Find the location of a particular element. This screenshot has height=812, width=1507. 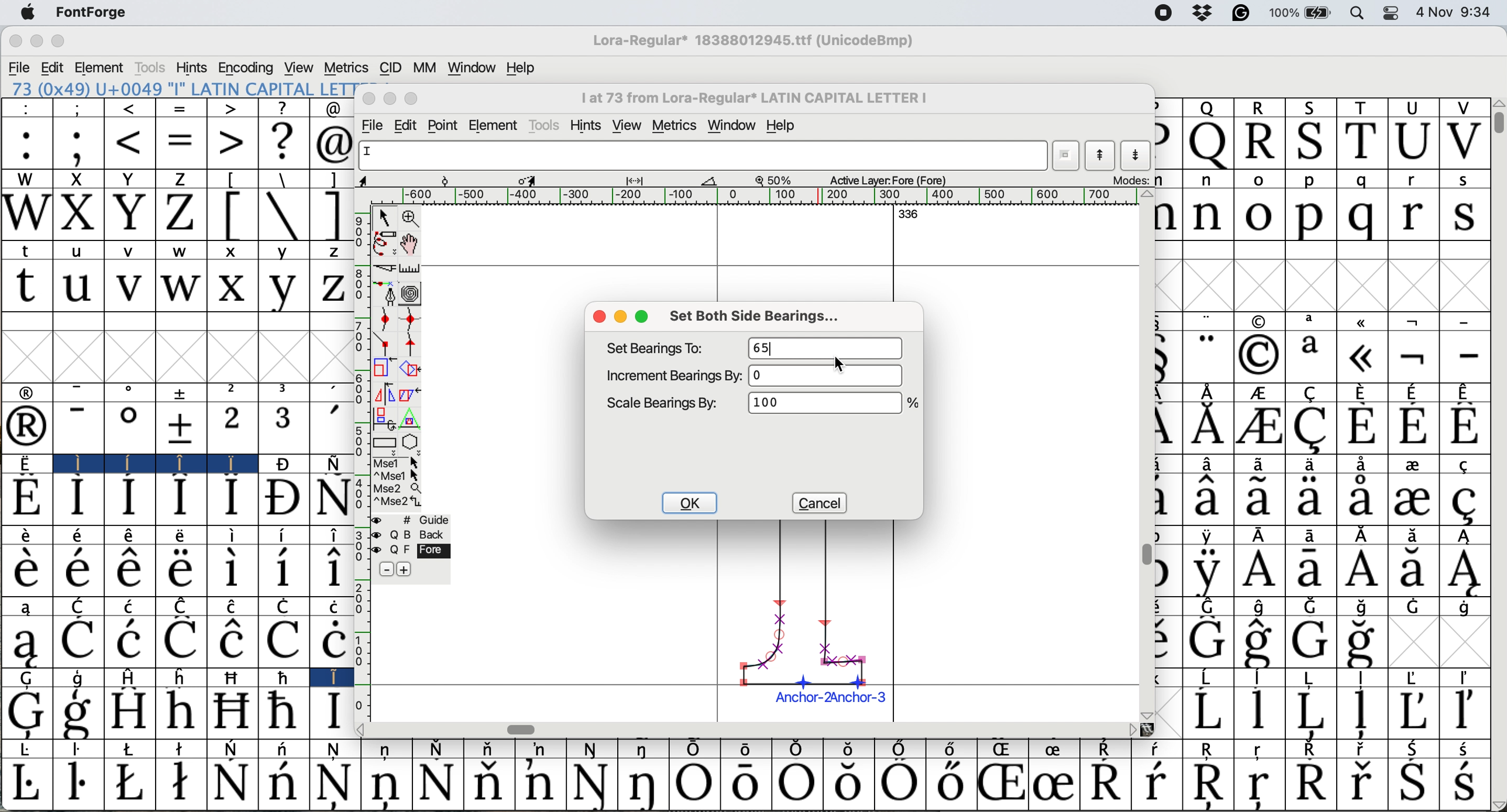

Symbol is located at coordinates (232, 536).